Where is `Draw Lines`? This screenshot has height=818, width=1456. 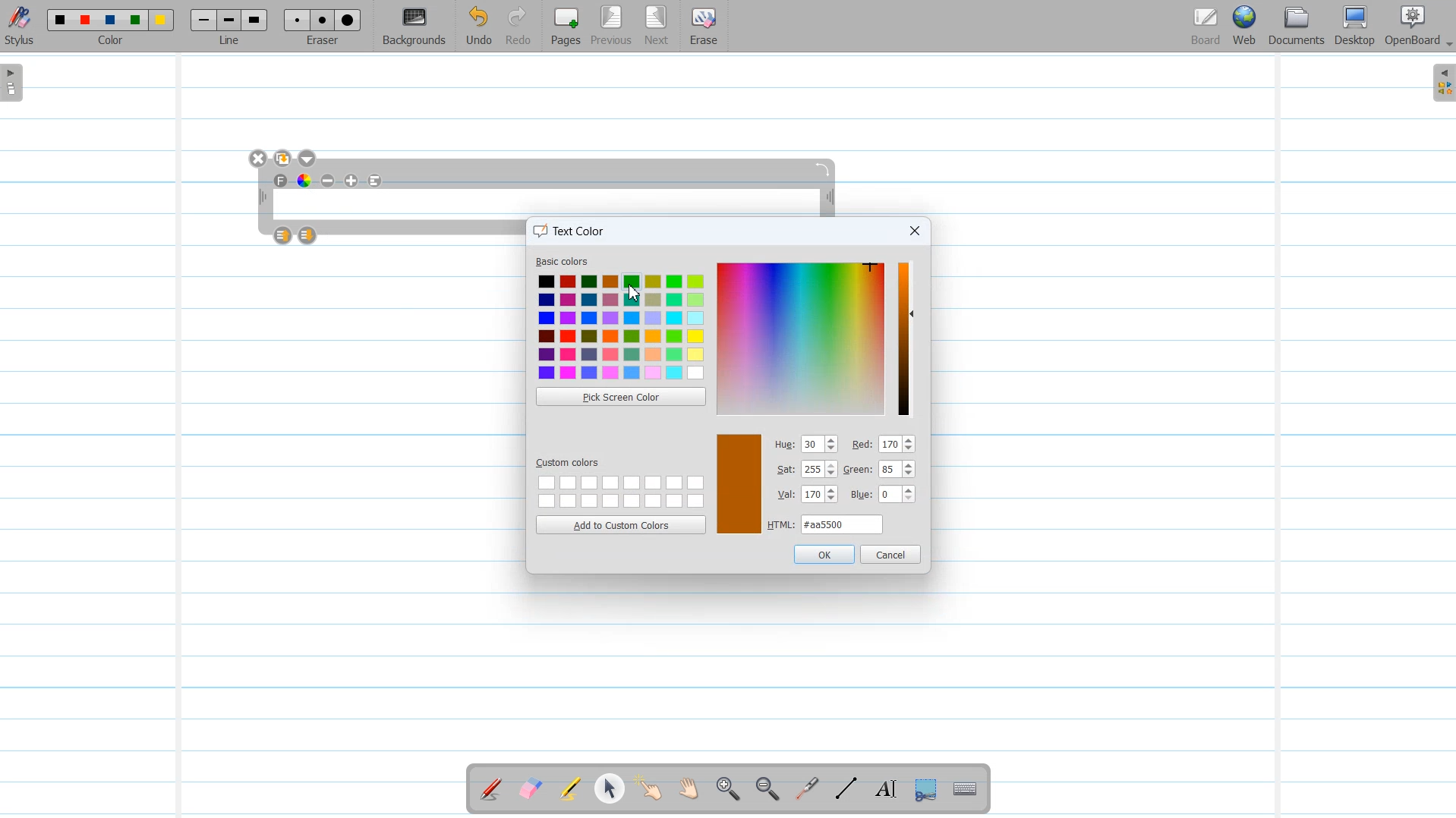 Draw Lines is located at coordinates (846, 789).